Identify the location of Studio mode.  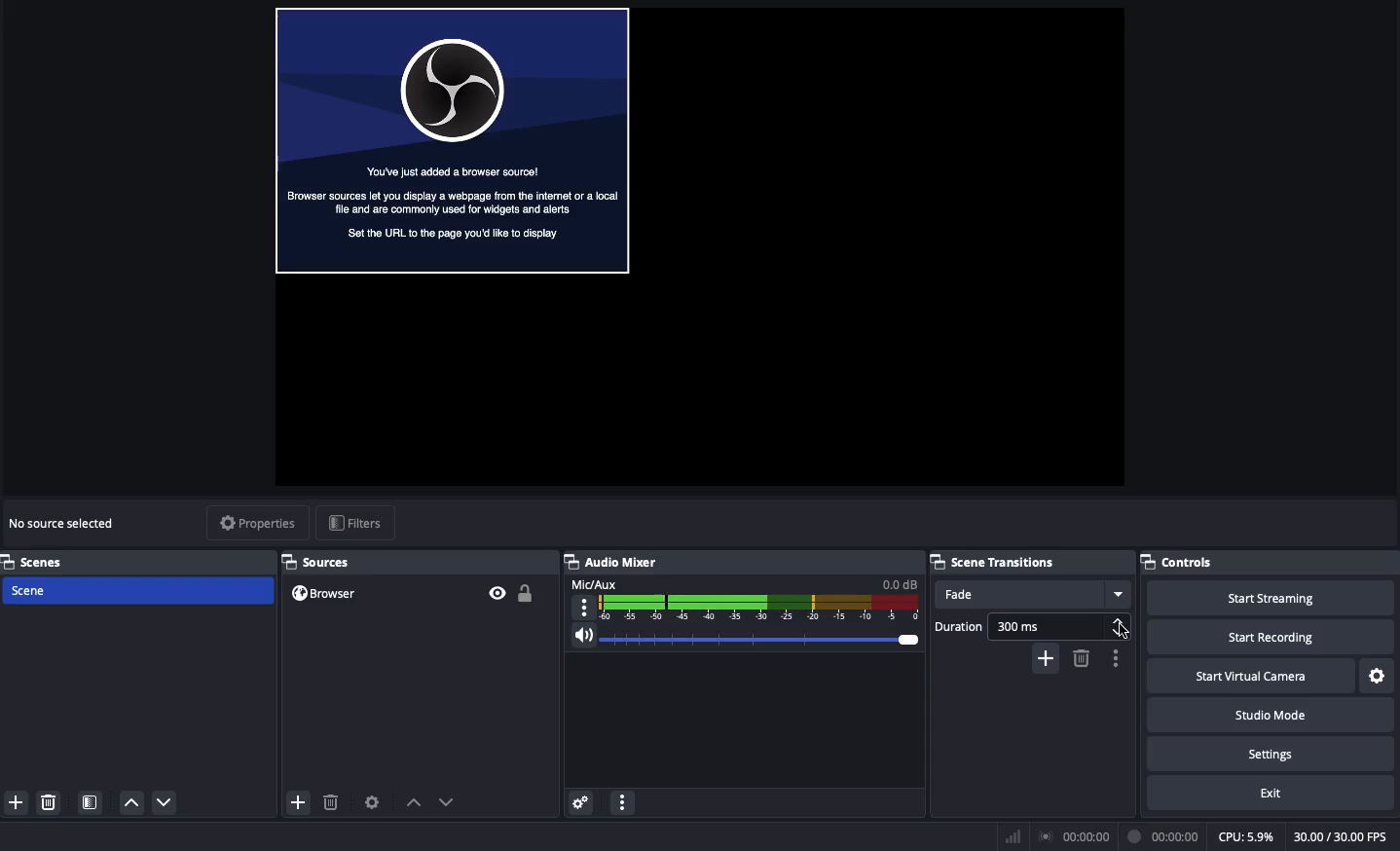
(1266, 715).